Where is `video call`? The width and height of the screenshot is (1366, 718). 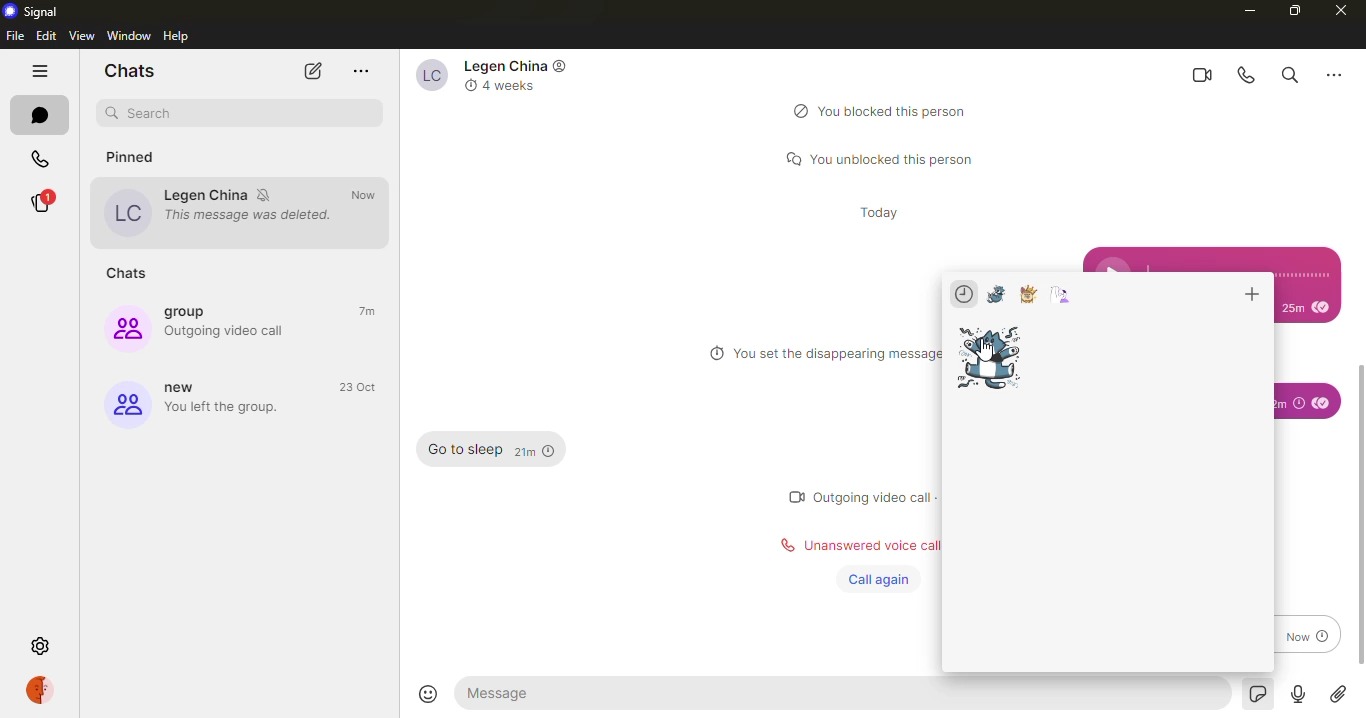 video call is located at coordinates (1196, 74).